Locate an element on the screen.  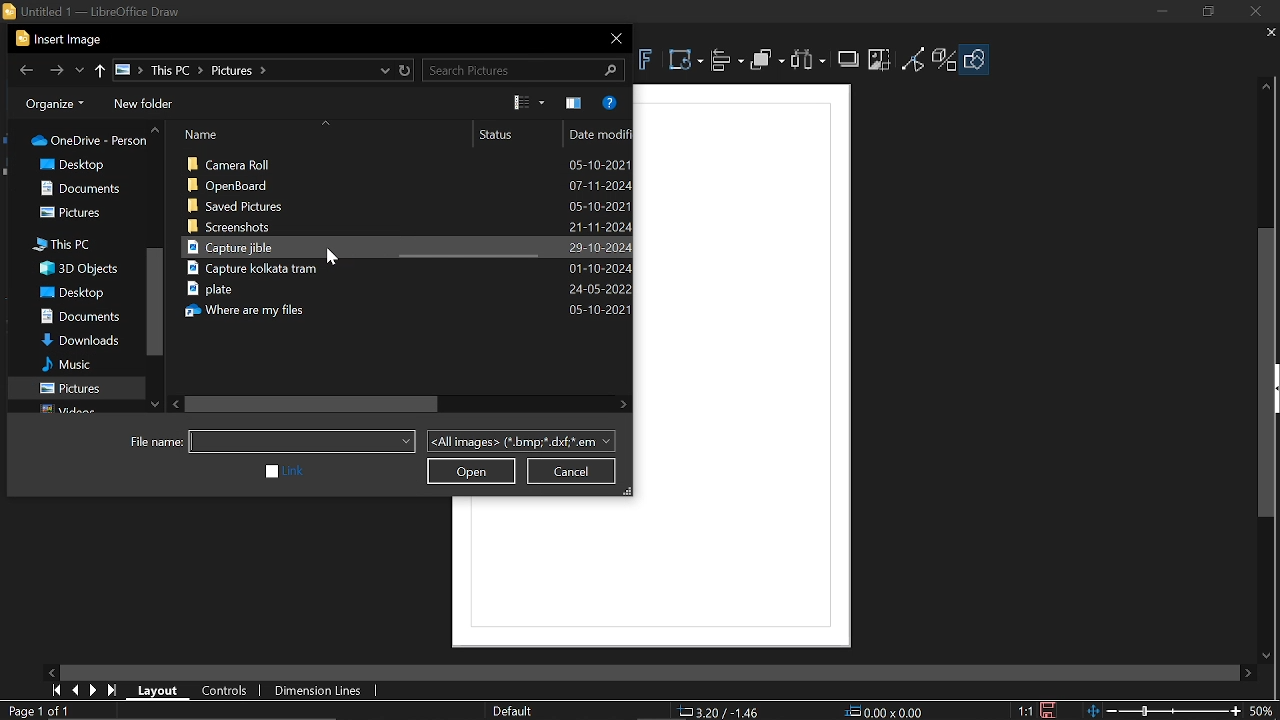
Current window is located at coordinates (62, 38).